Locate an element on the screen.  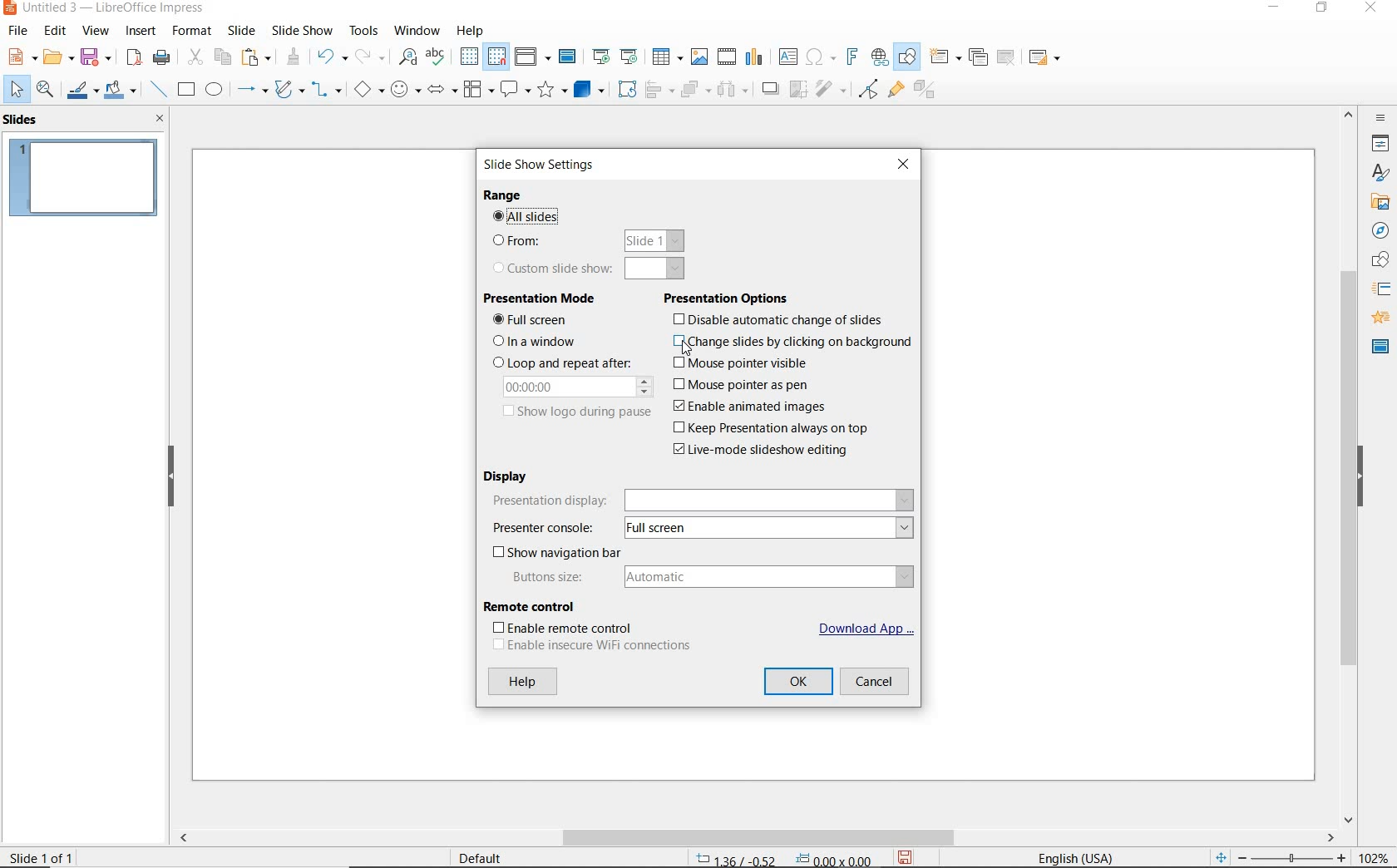
INSERT IMAGE is located at coordinates (695, 57).